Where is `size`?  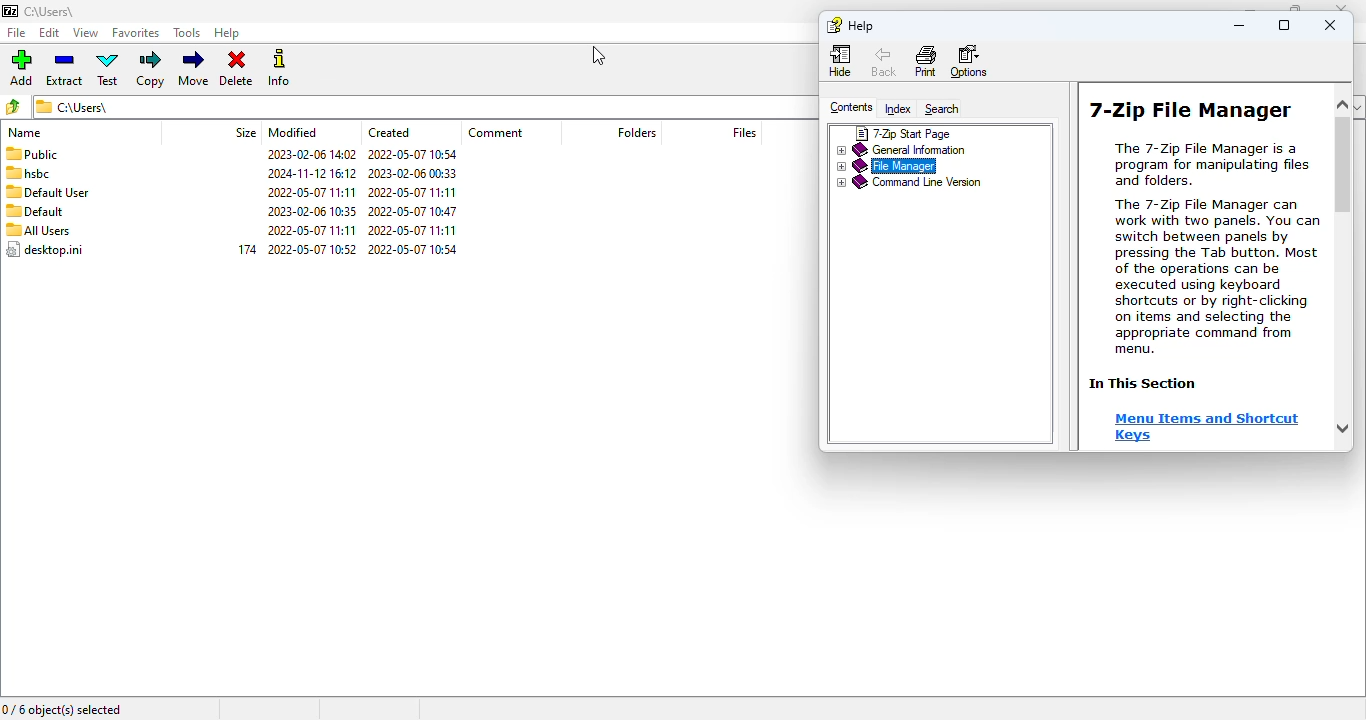 size is located at coordinates (247, 131).